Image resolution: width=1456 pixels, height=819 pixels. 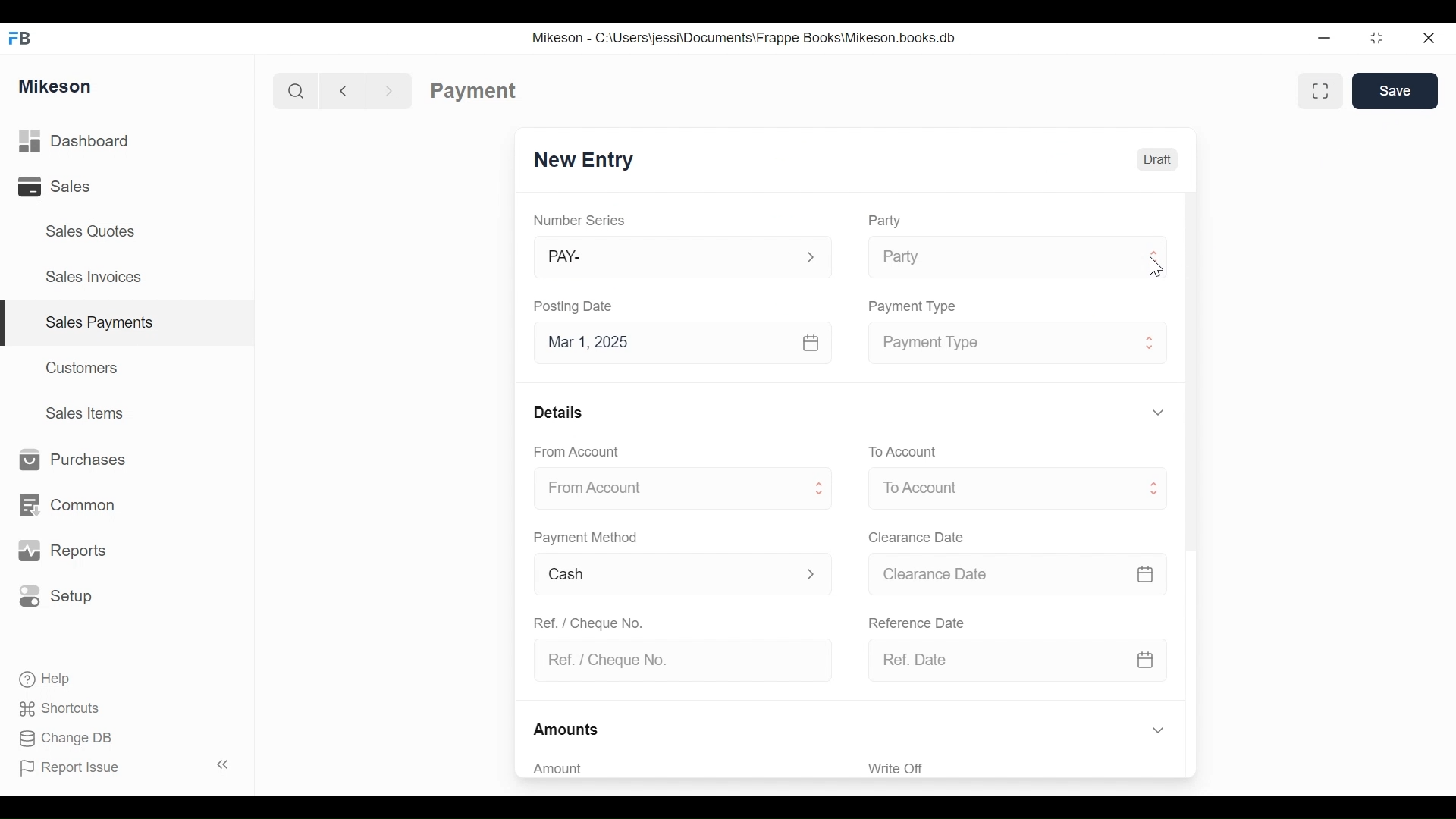 I want to click on Common, so click(x=75, y=497).